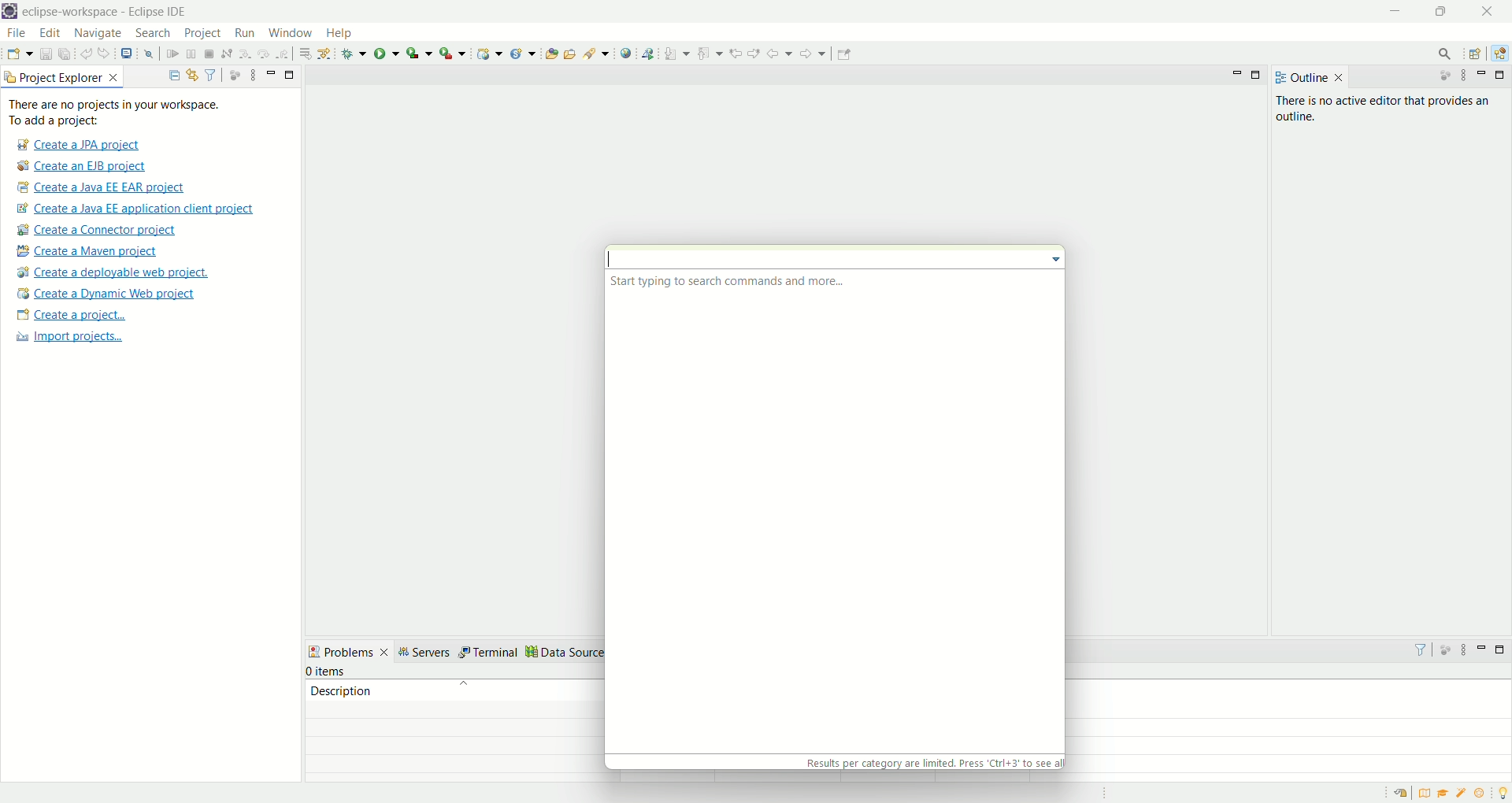  Describe the element at coordinates (677, 54) in the screenshot. I see `next annotation` at that location.